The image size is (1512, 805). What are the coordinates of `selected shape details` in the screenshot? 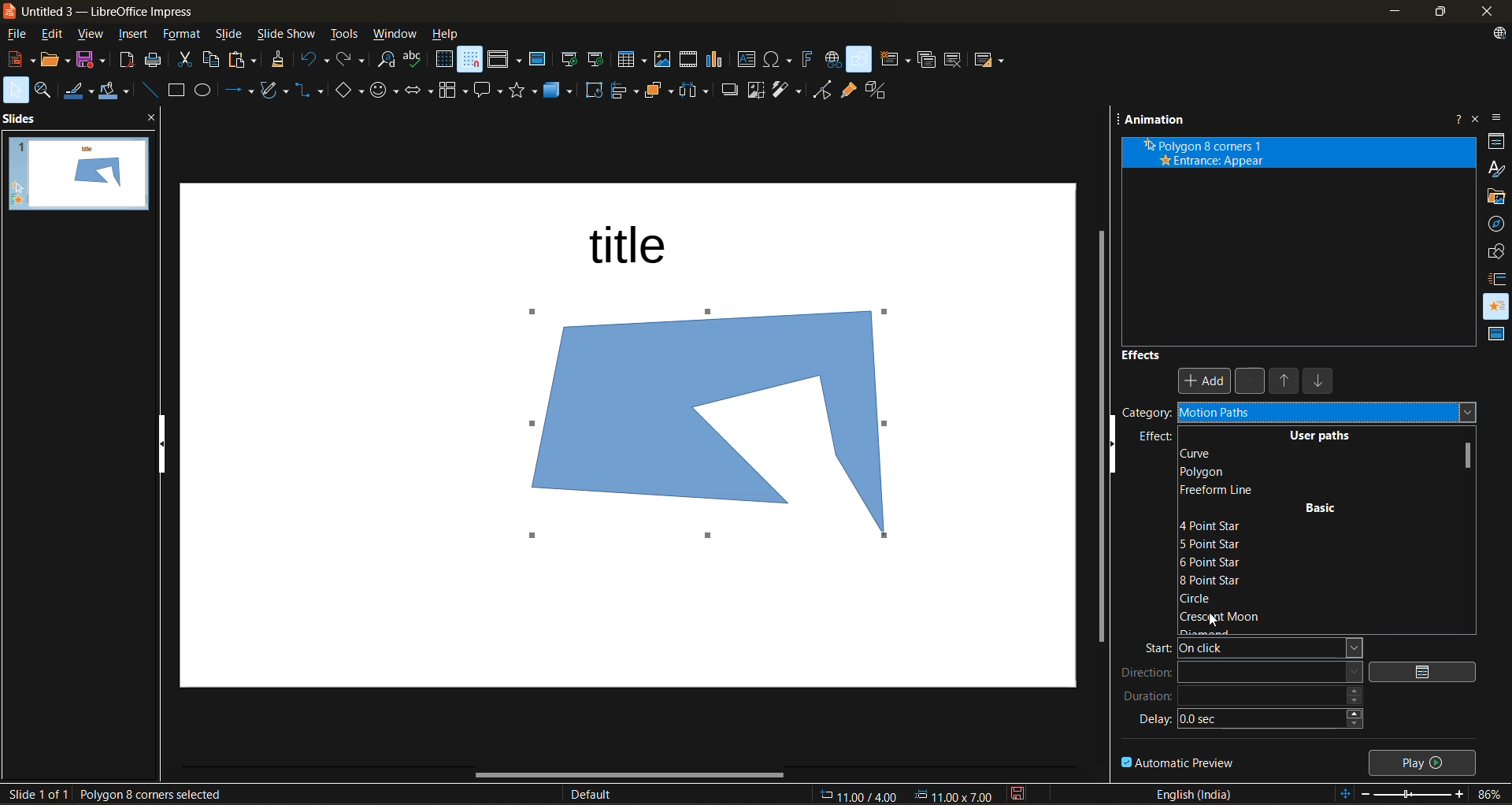 It's located at (150, 796).